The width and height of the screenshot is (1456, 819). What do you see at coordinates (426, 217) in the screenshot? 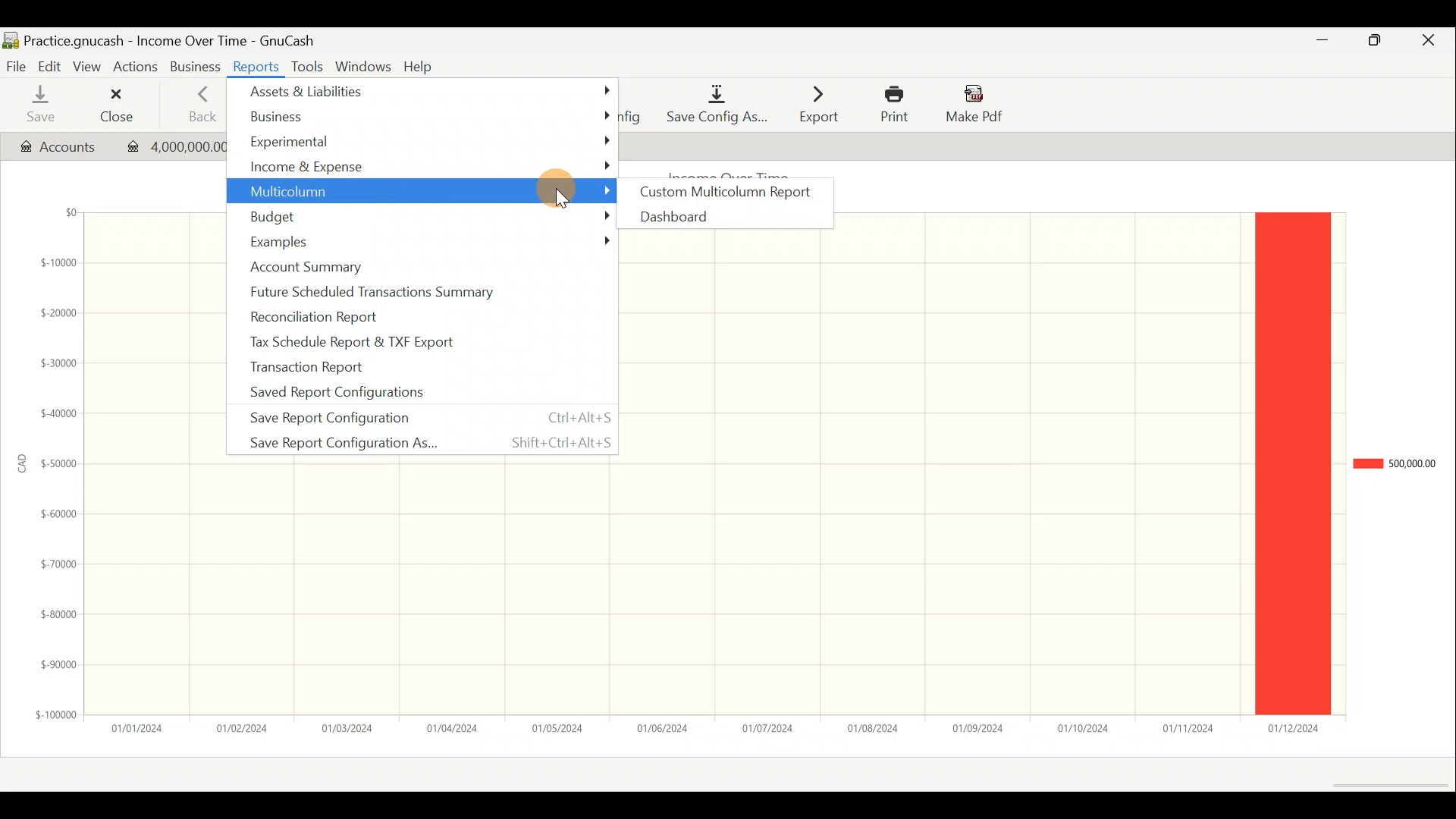
I see `Budget` at bounding box center [426, 217].